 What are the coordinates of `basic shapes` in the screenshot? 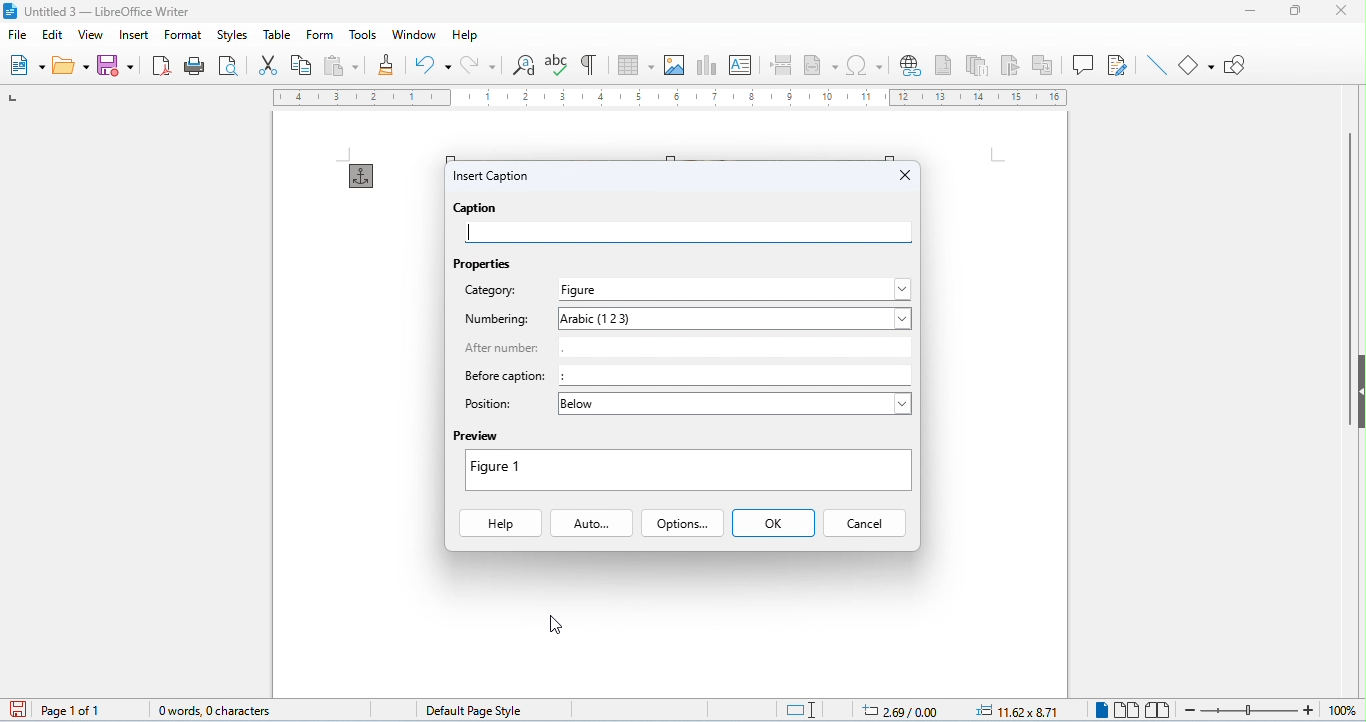 It's located at (1198, 64).